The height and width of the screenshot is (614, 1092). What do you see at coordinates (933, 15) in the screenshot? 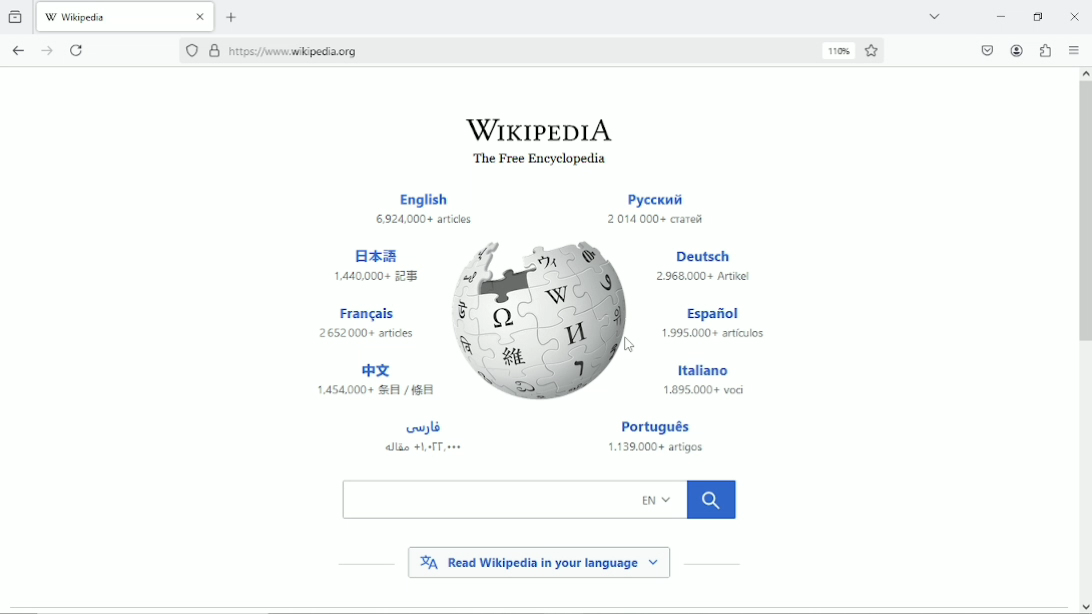
I see `list all tabs` at bounding box center [933, 15].